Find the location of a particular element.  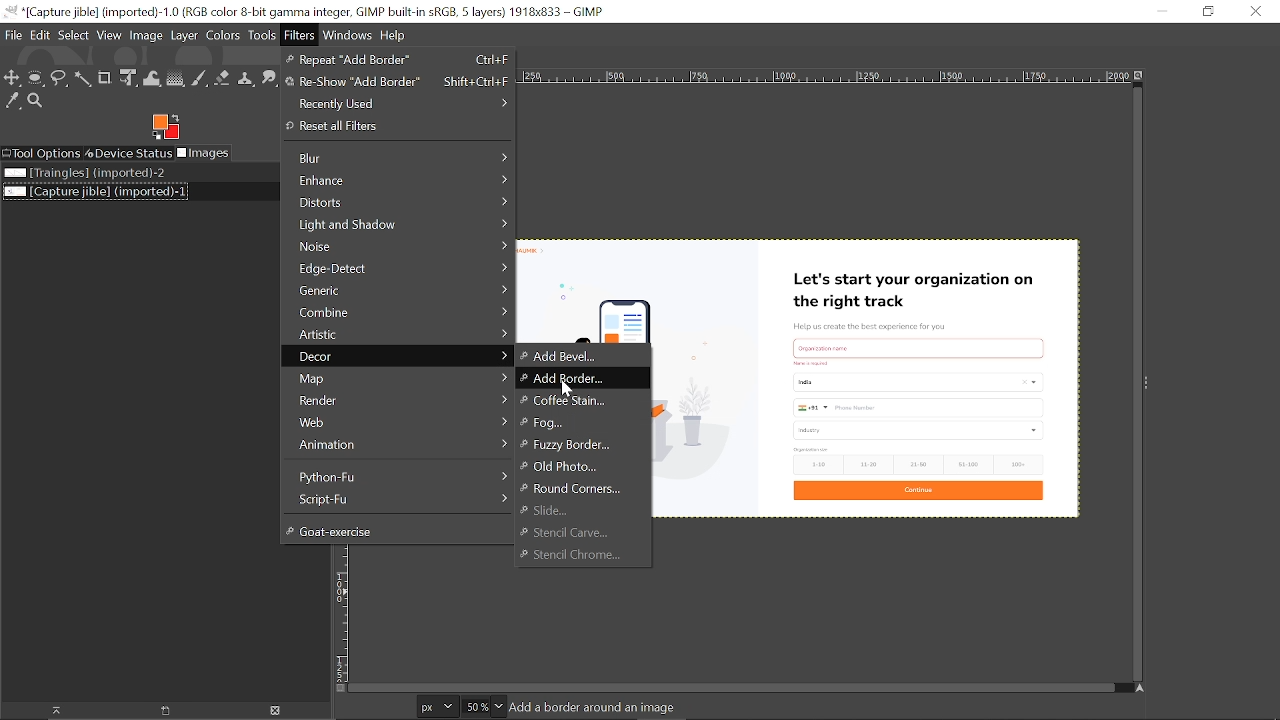

Fog is located at coordinates (565, 425).